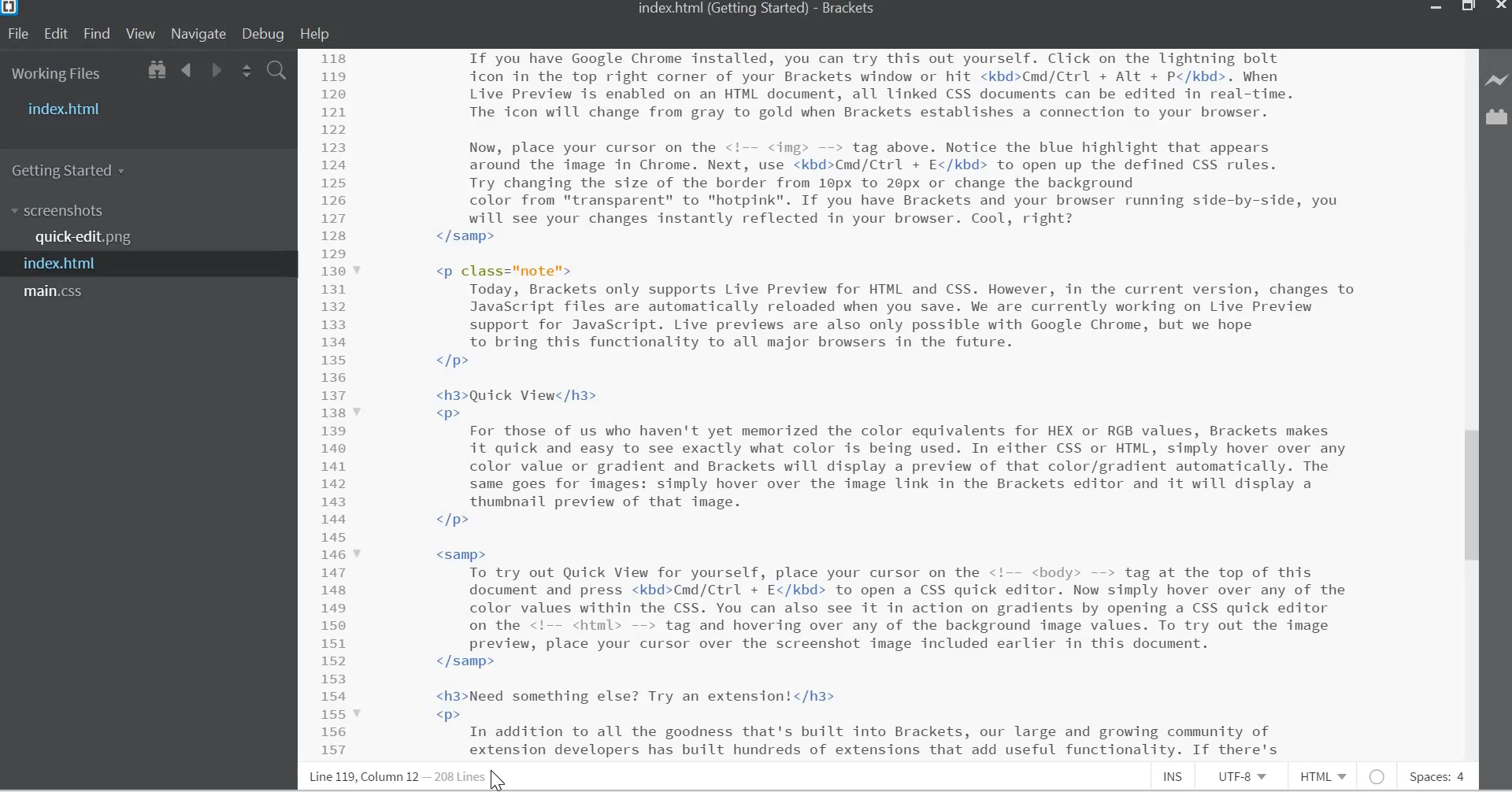  Describe the element at coordinates (1246, 777) in the screenshot. I see `File Encoding` at that location.